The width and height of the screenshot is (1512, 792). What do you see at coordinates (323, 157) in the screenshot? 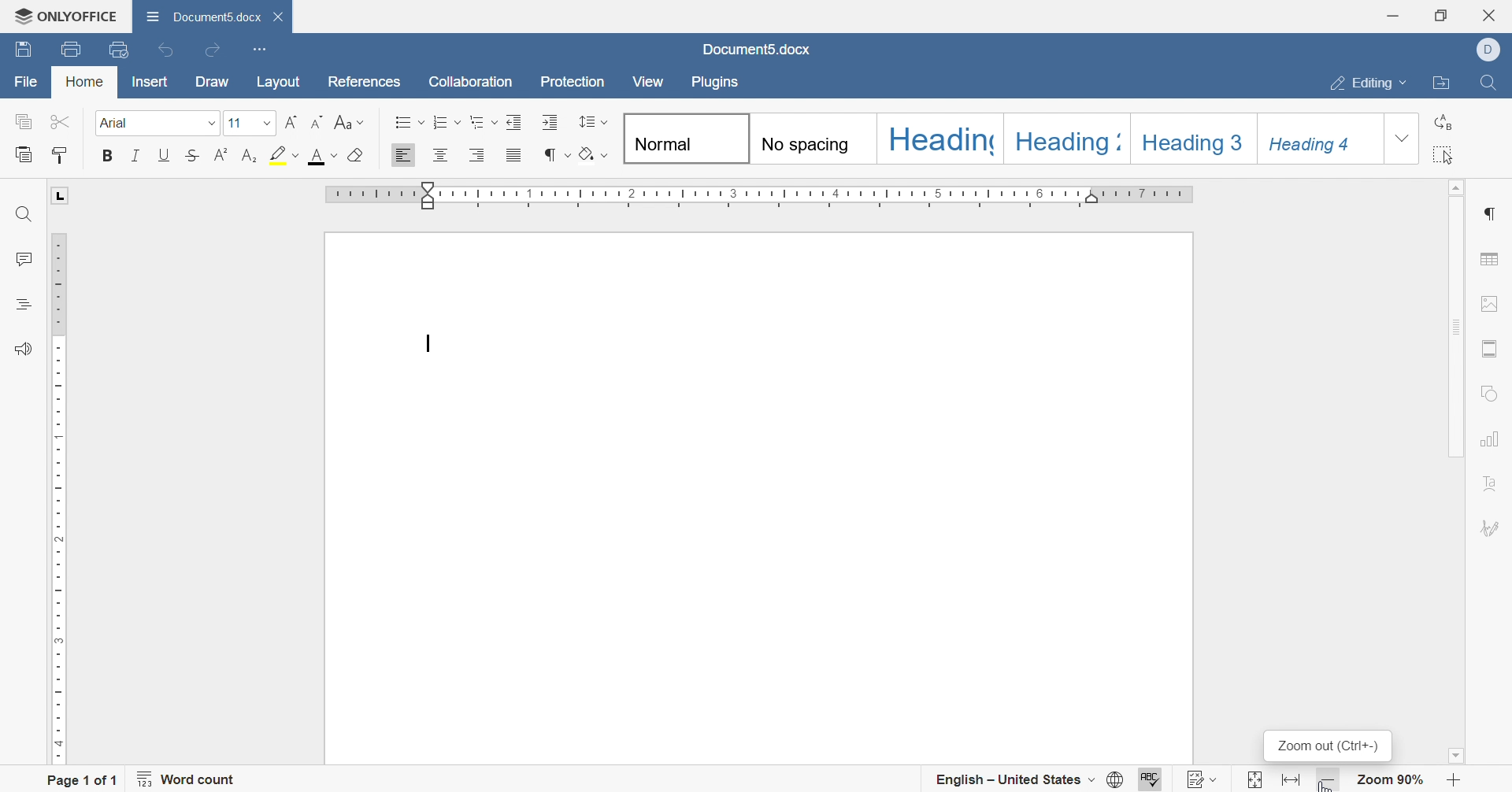
I see `font color` at bounding box center [323, 157].